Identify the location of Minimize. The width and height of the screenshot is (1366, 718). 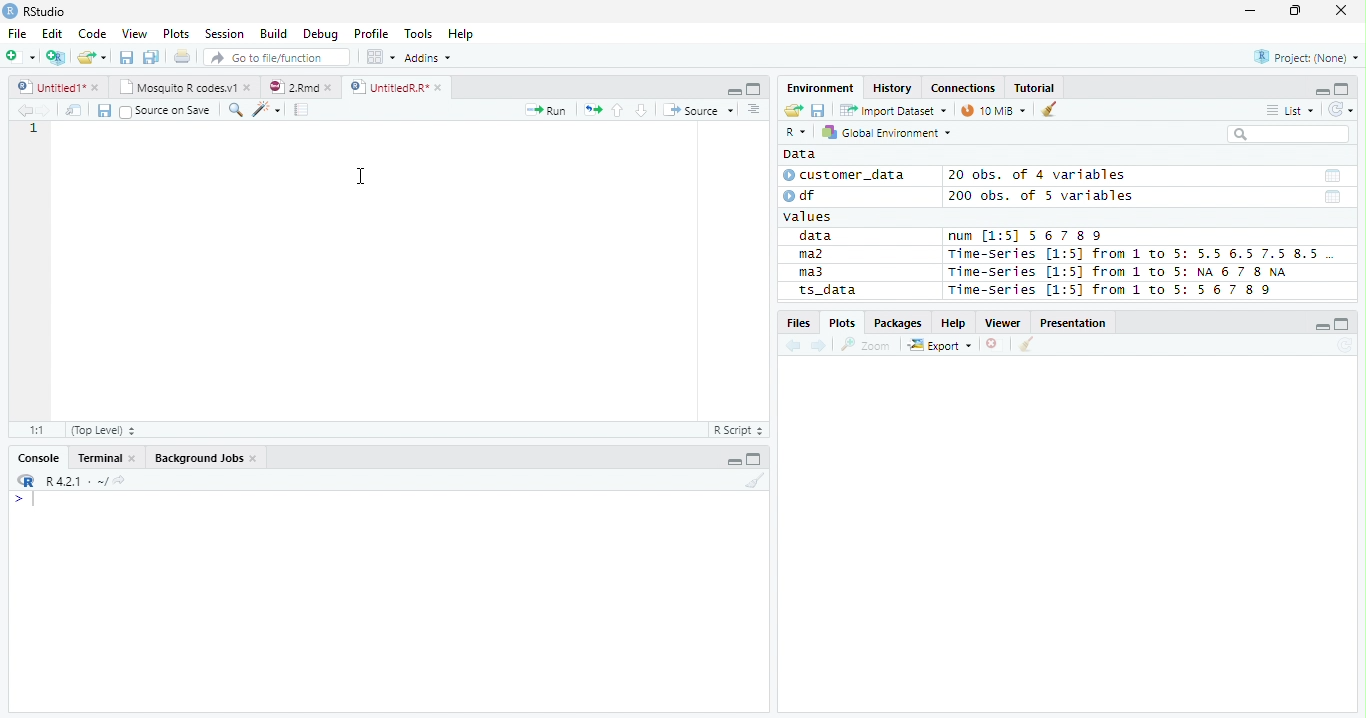
(1249, 13).